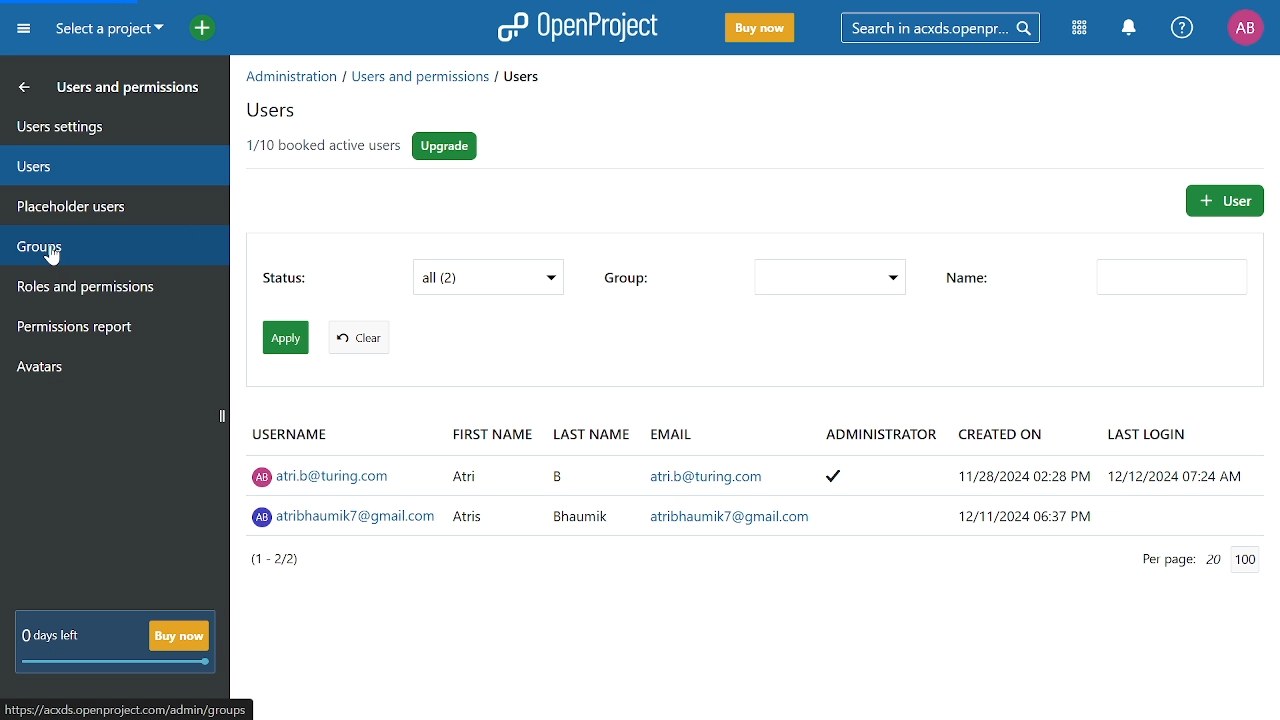 The width and height of the screenshot is (1280, 720). Describe the element at coordinates (322, 147) in the screenshot. I see `1/10 booked active users` at that location.